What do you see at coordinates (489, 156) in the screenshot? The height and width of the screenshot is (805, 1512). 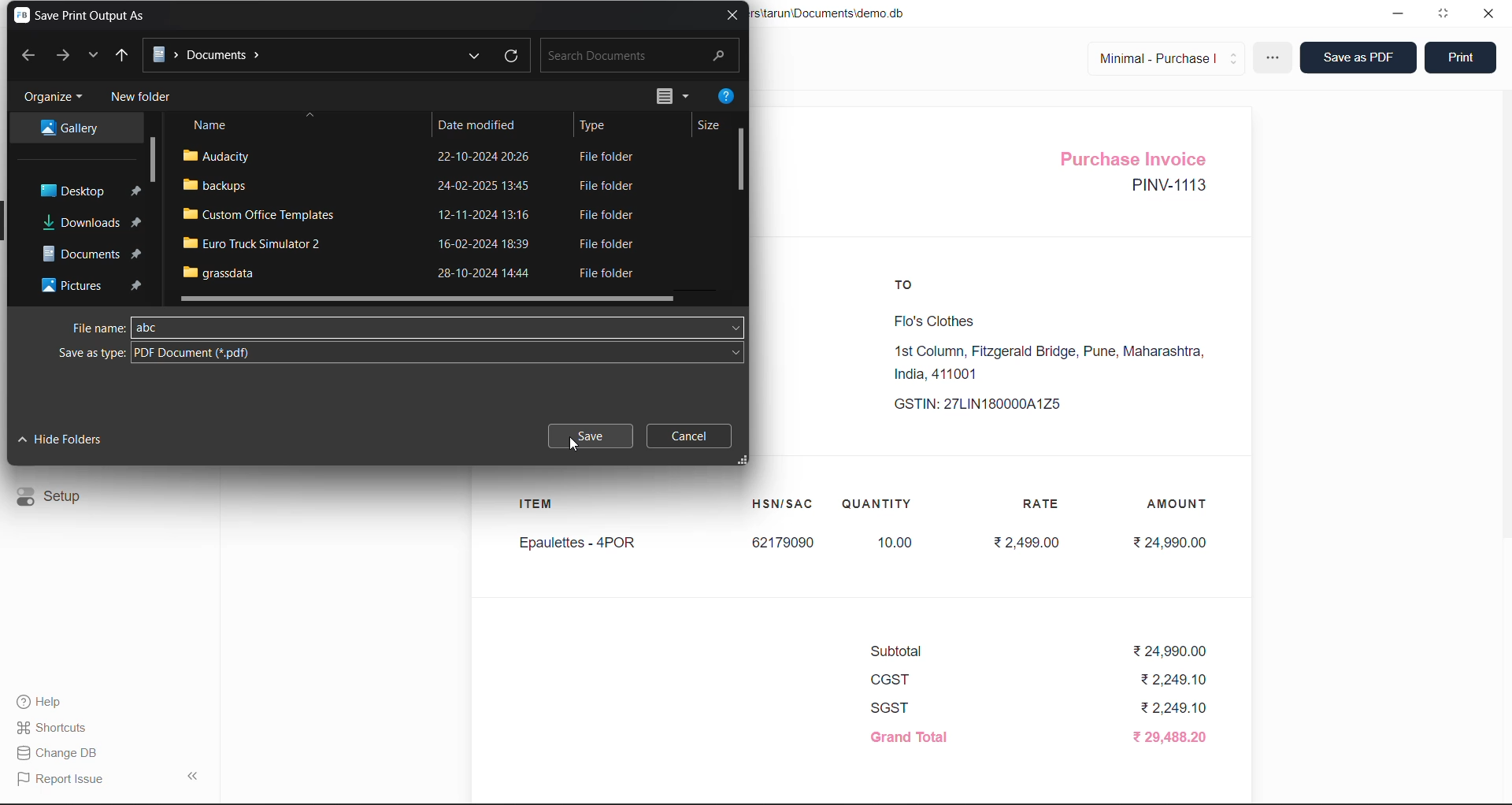 I see `22-10-2024 2026` at bounding box center [489, 156].